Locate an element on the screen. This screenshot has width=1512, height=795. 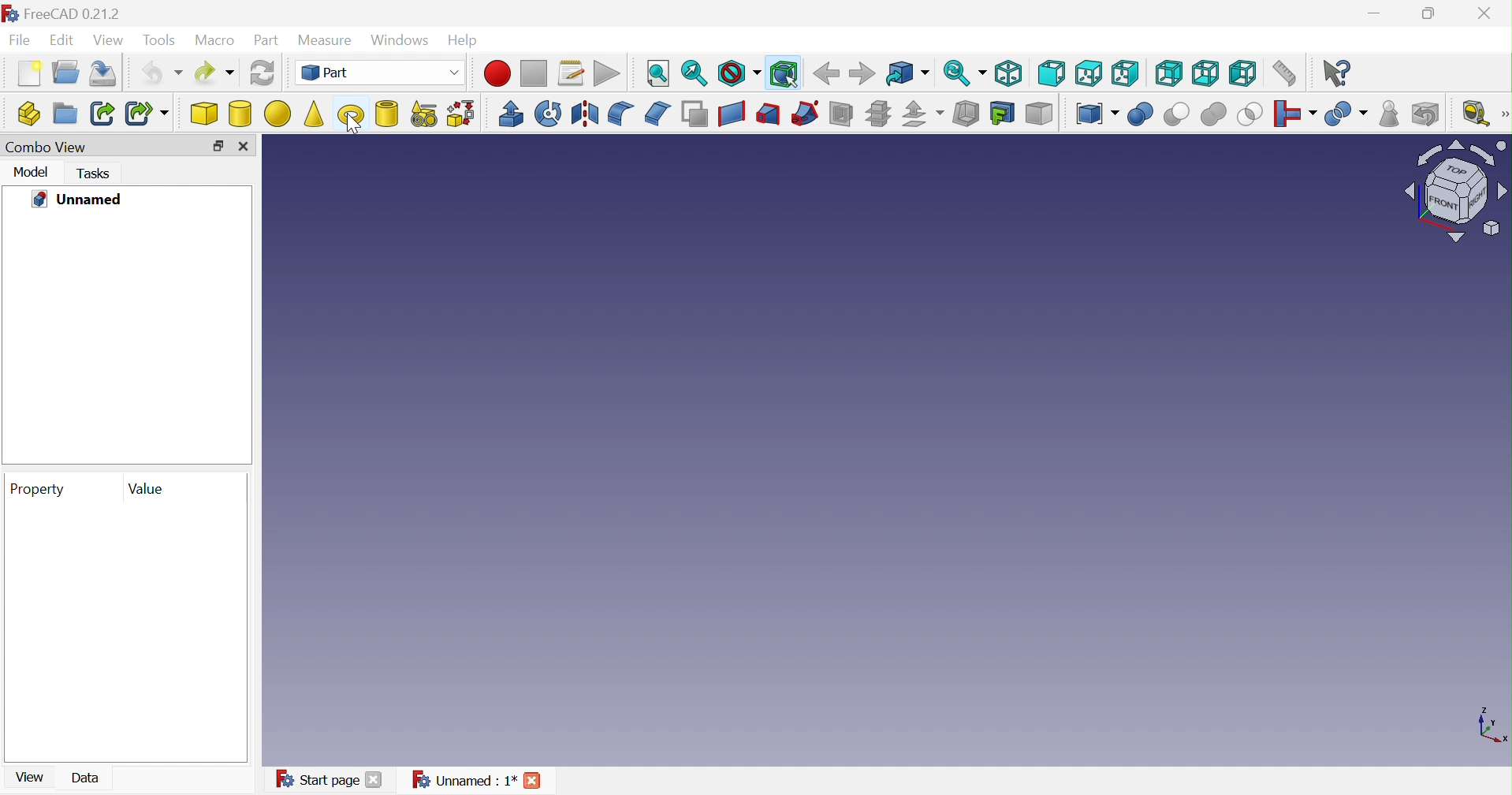
Draw style is located at coordinates (738, 73).